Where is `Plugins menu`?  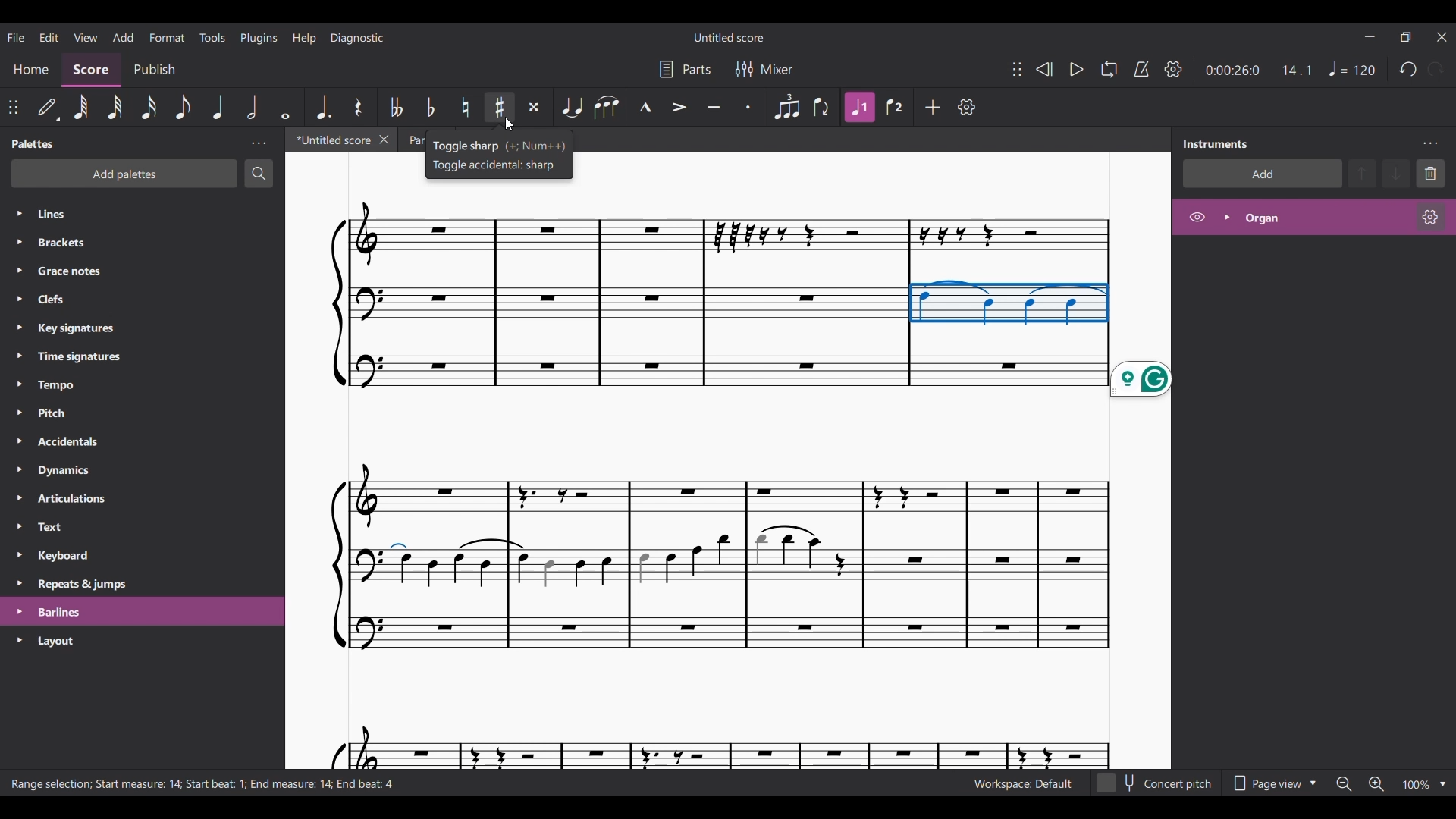
Plugins menu is located at coordinates (259, 37).